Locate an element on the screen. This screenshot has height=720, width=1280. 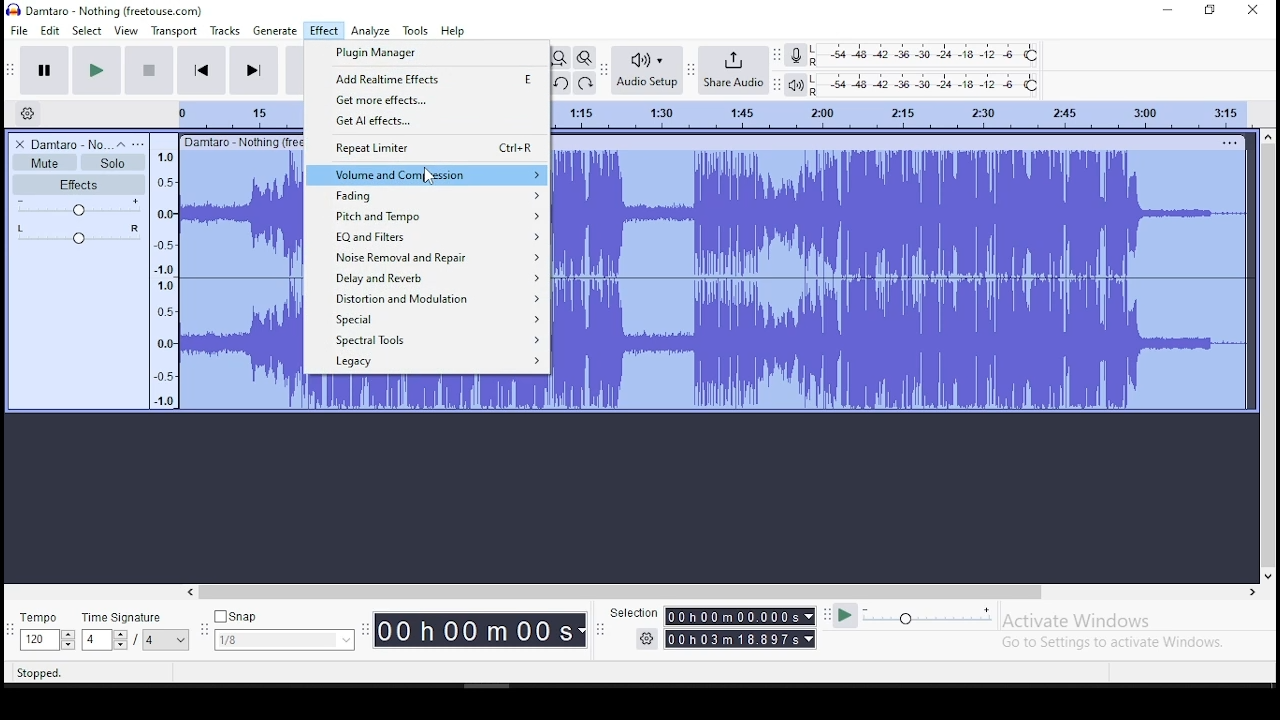
playback level is located at coordinates (927, 84).